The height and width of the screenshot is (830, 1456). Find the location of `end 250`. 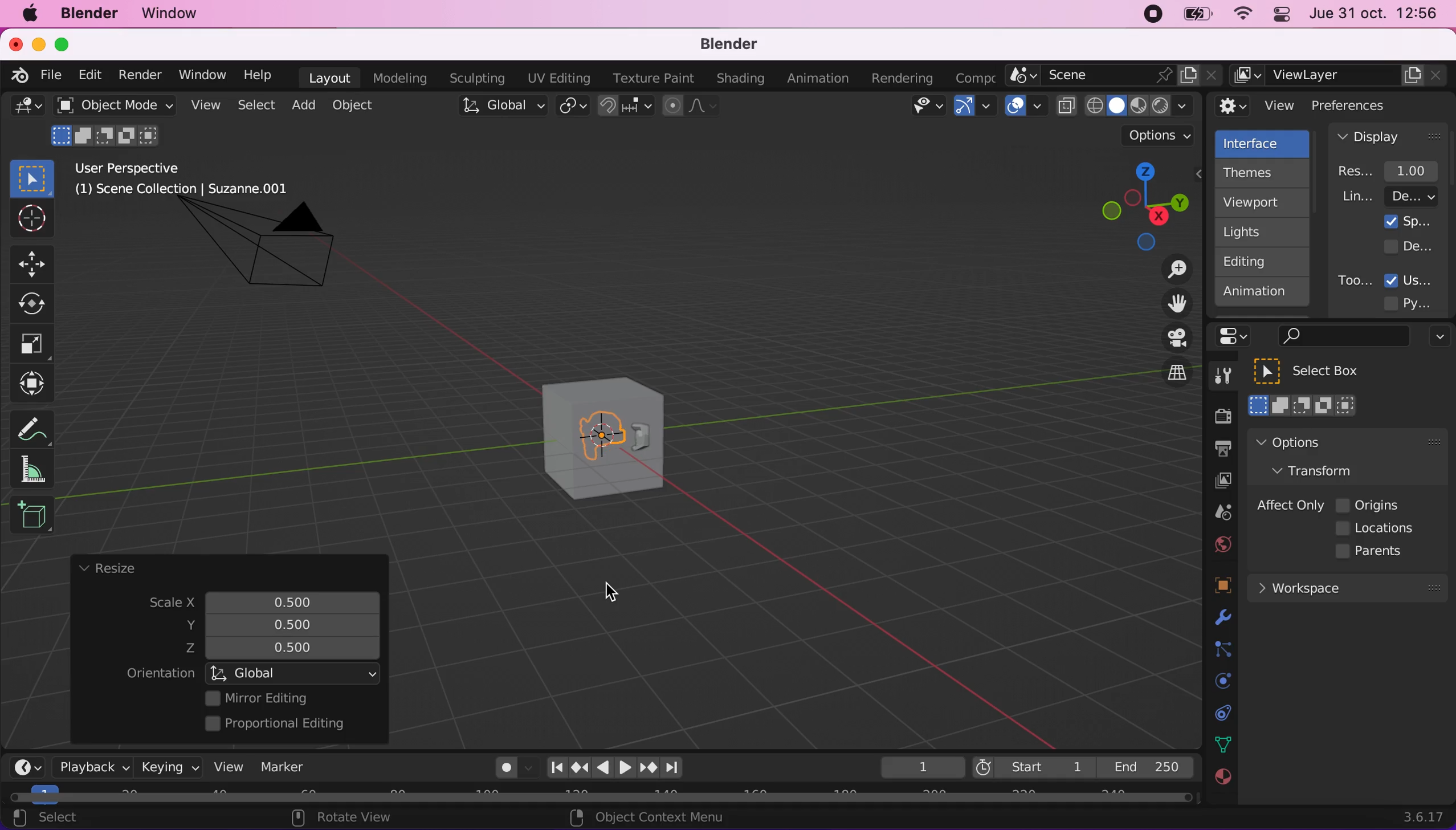

end 250 is located at coordinates (1145, 766).